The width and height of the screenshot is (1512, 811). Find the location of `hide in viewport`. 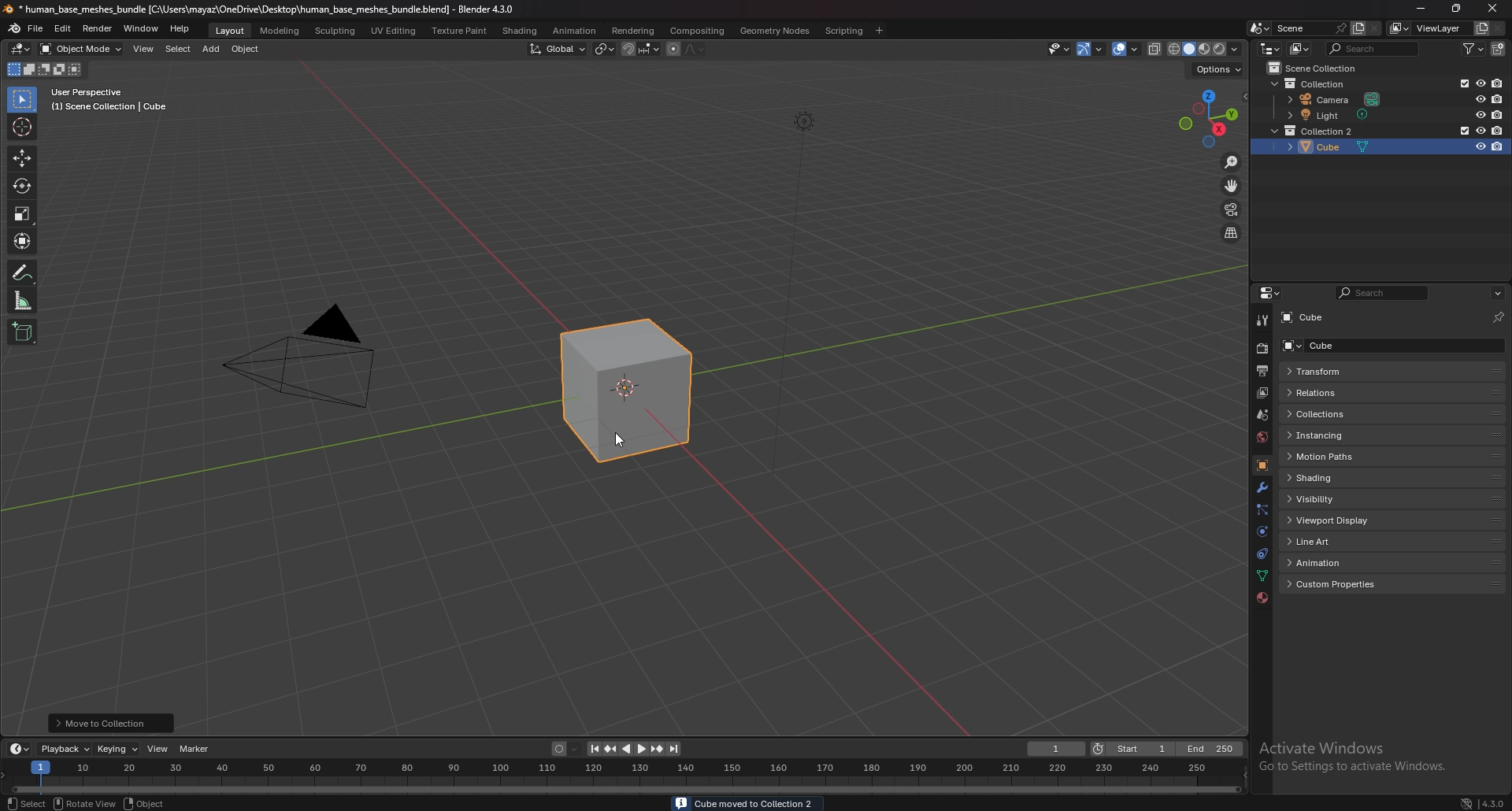

hide in viewport is located at coordinates (1480, 146).